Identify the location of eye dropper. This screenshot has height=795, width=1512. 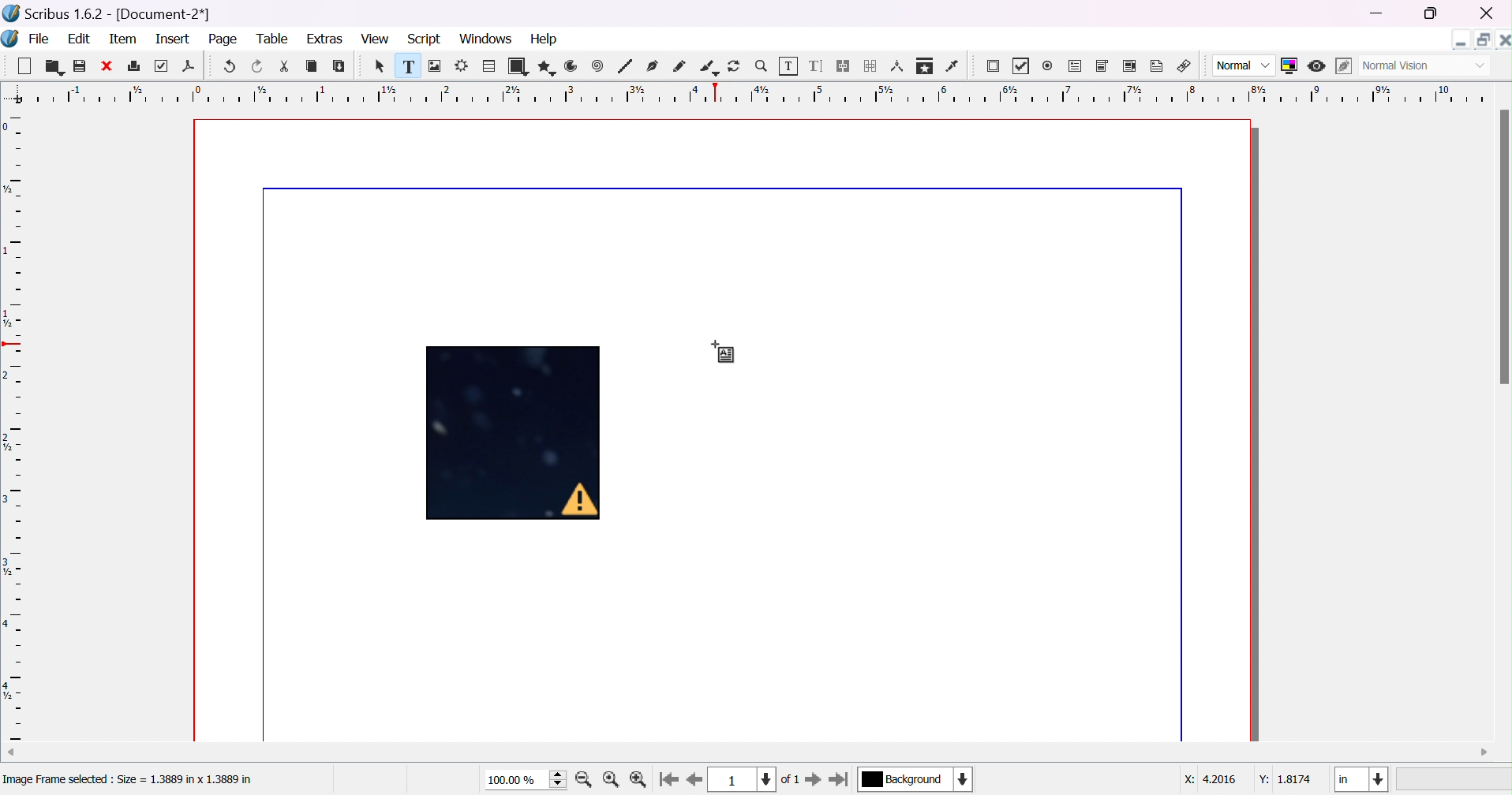
(955, 66).